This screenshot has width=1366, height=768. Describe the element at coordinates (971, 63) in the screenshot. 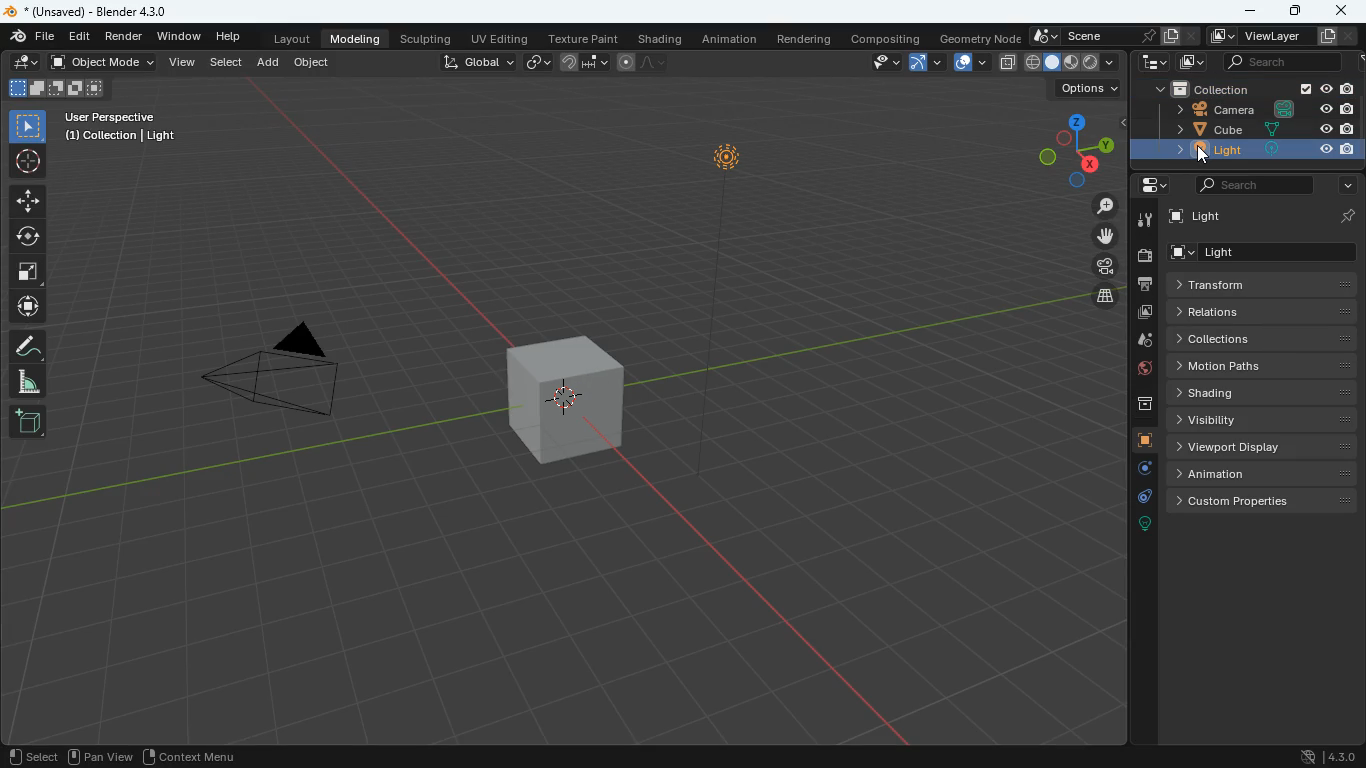

I see `overlap` at that location.